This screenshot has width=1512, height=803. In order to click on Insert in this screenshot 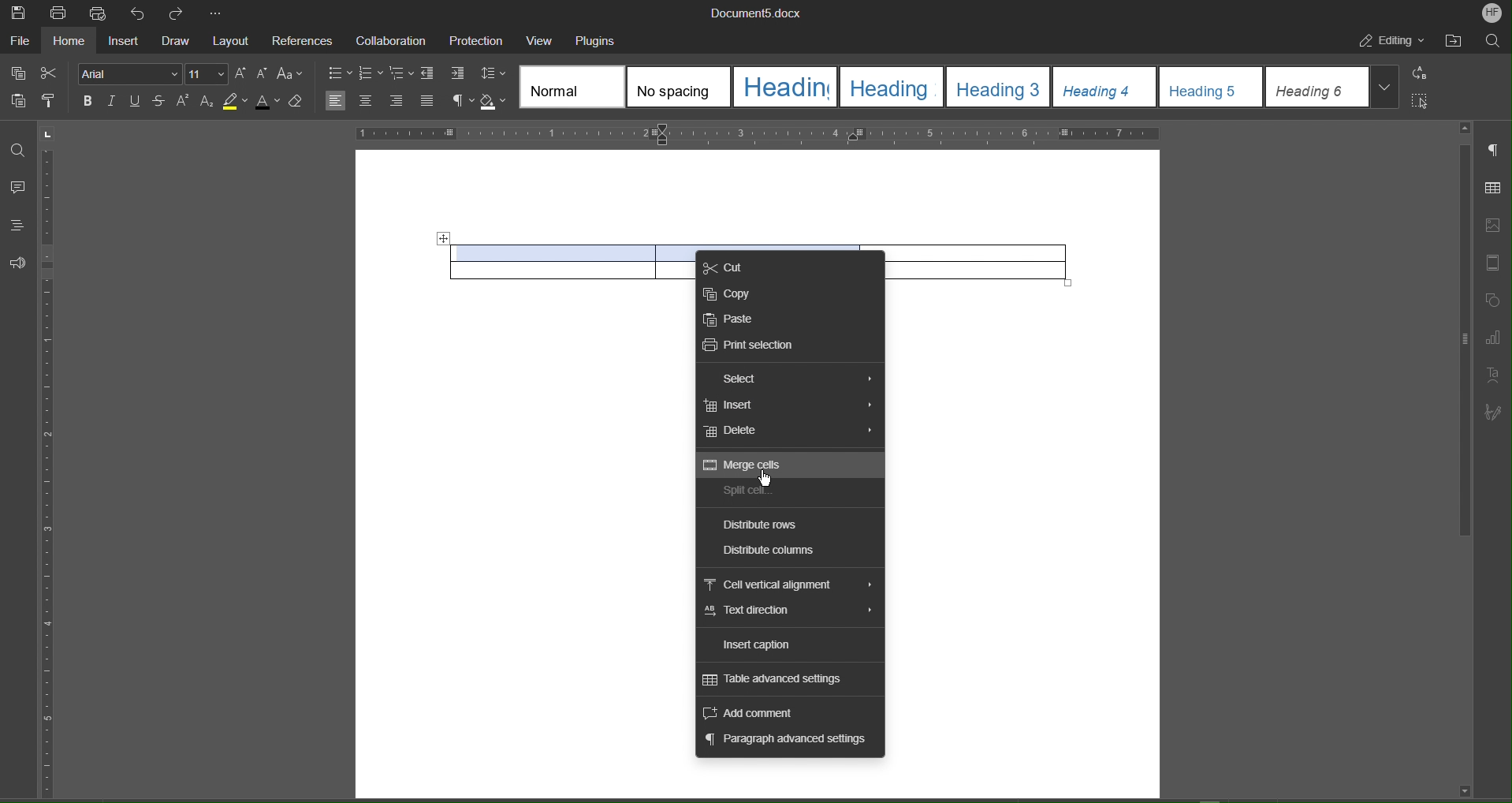, I will do `click(127, 43)`.